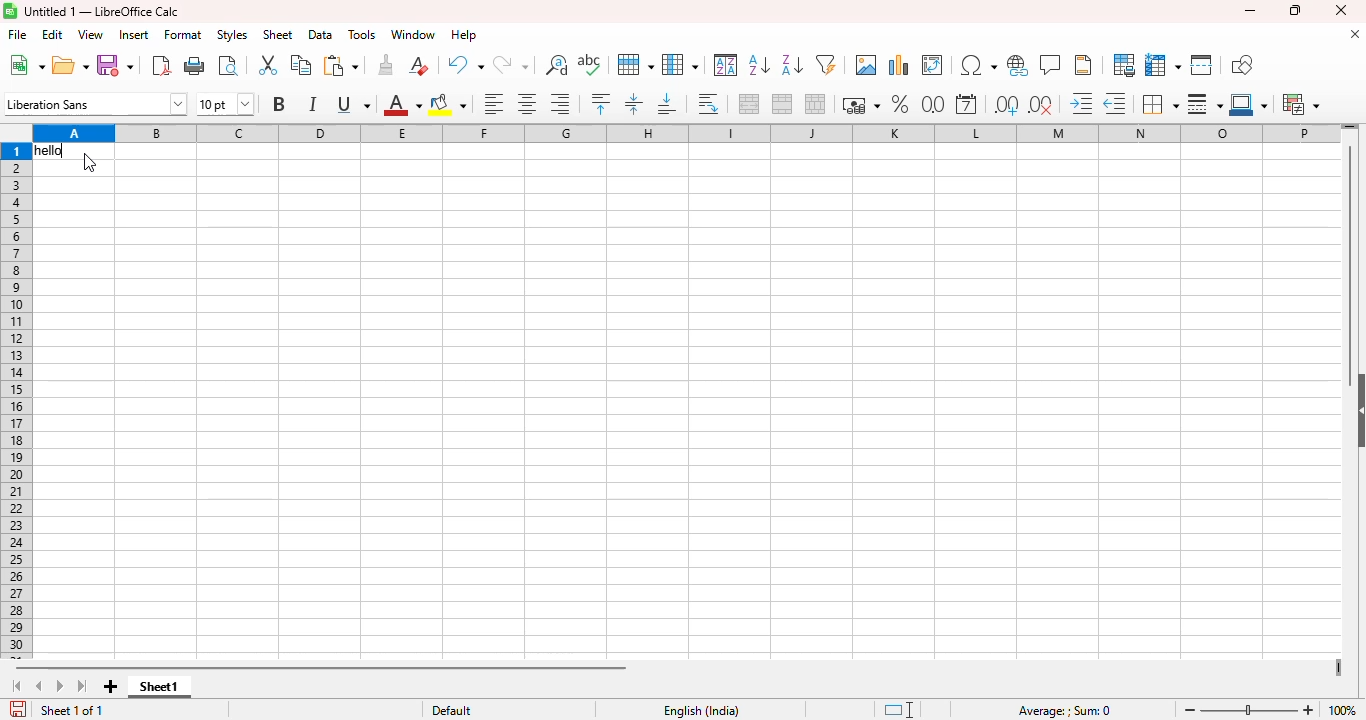 This screenshot has height=720, width=1366. What do you see at coordinates (1205, 105) in the screenshot?
I see `border style` at bounding box center [1205, 105].